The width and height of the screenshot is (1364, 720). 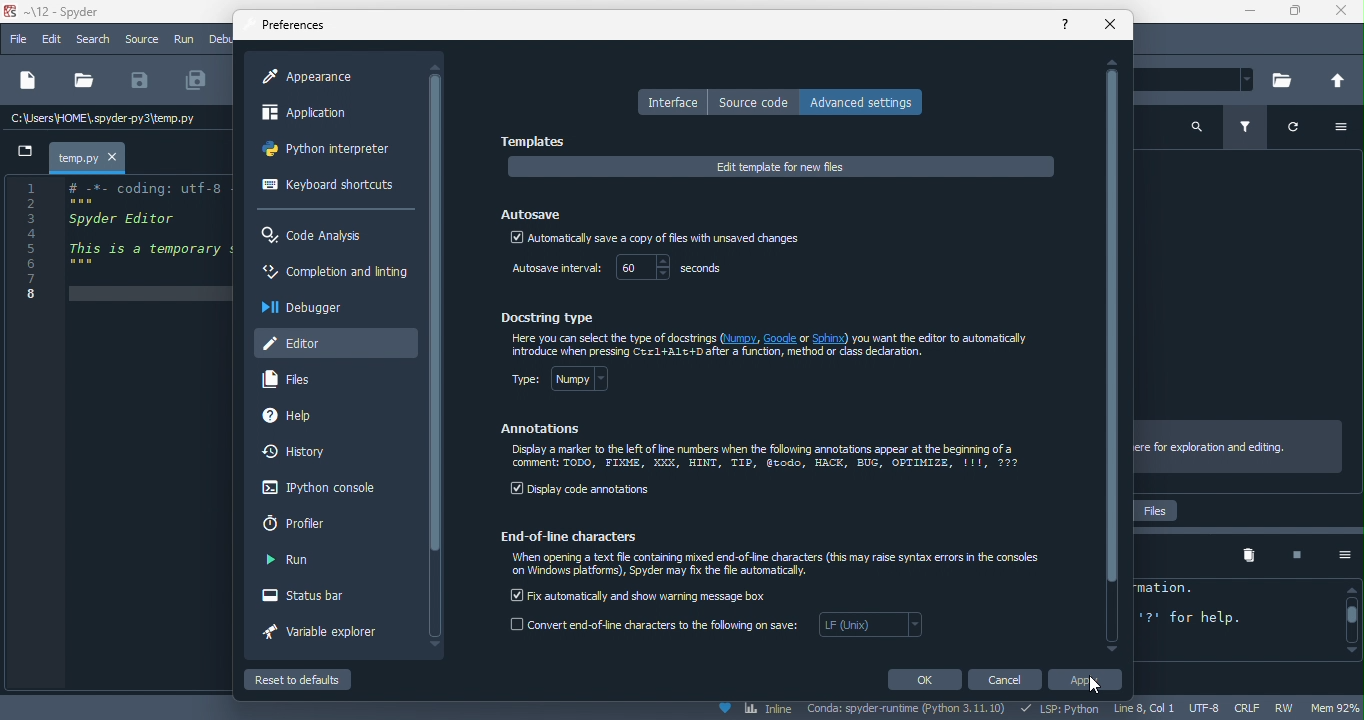 I want to click on fix automatically and show warming message box, so click(x=641, y=594).